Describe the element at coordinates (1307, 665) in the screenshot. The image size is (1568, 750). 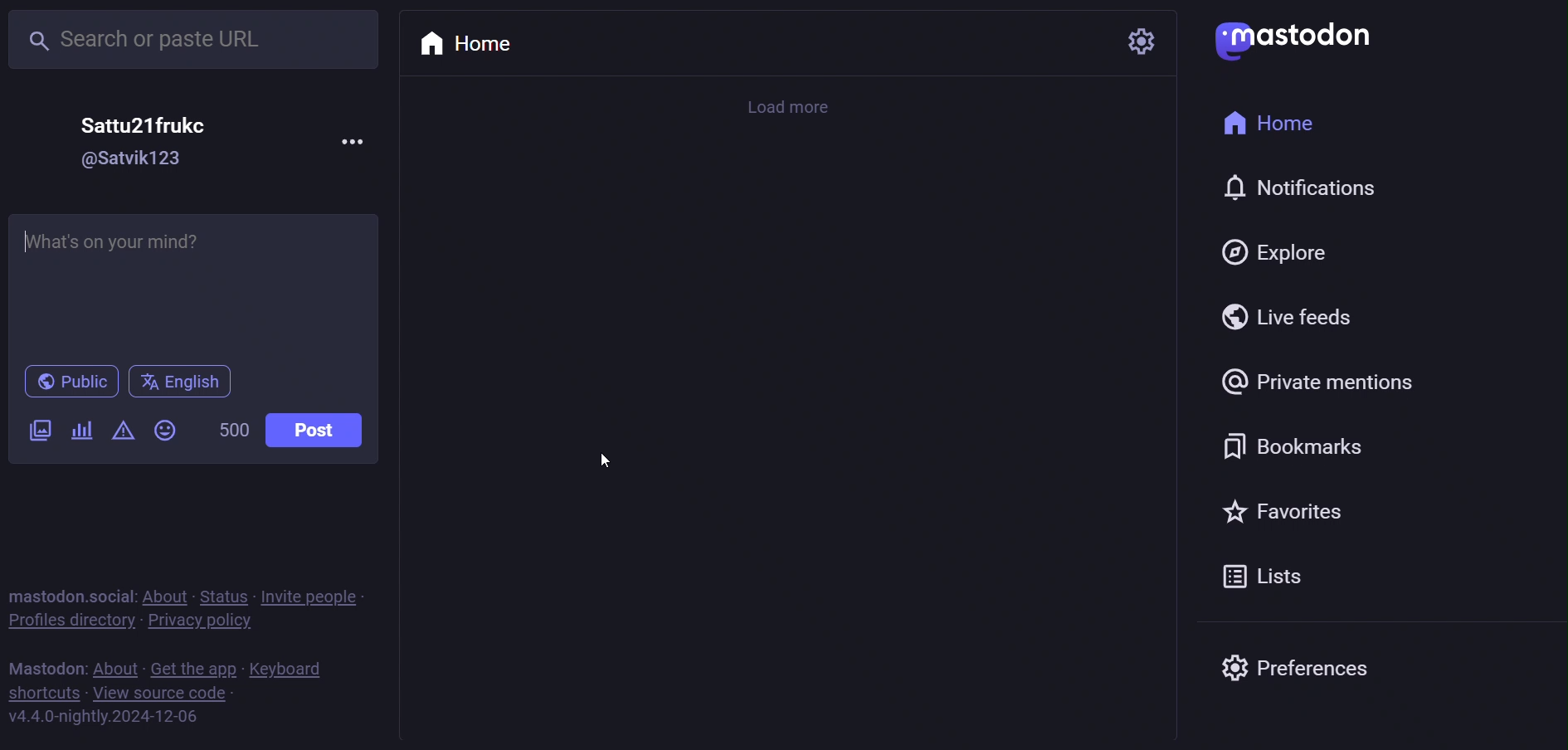
I see `preferences` at that location.